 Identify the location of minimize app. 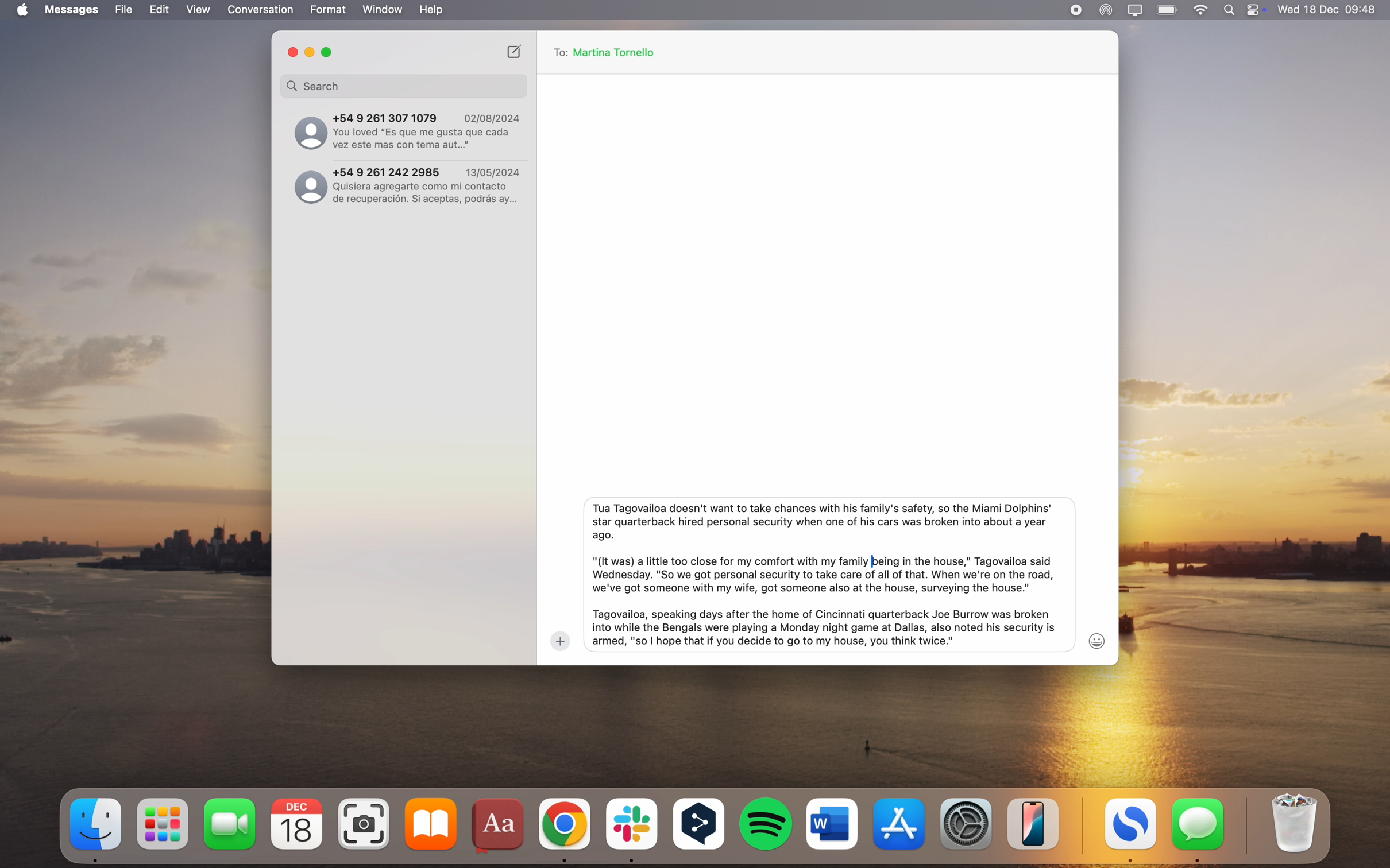
(310, 53).